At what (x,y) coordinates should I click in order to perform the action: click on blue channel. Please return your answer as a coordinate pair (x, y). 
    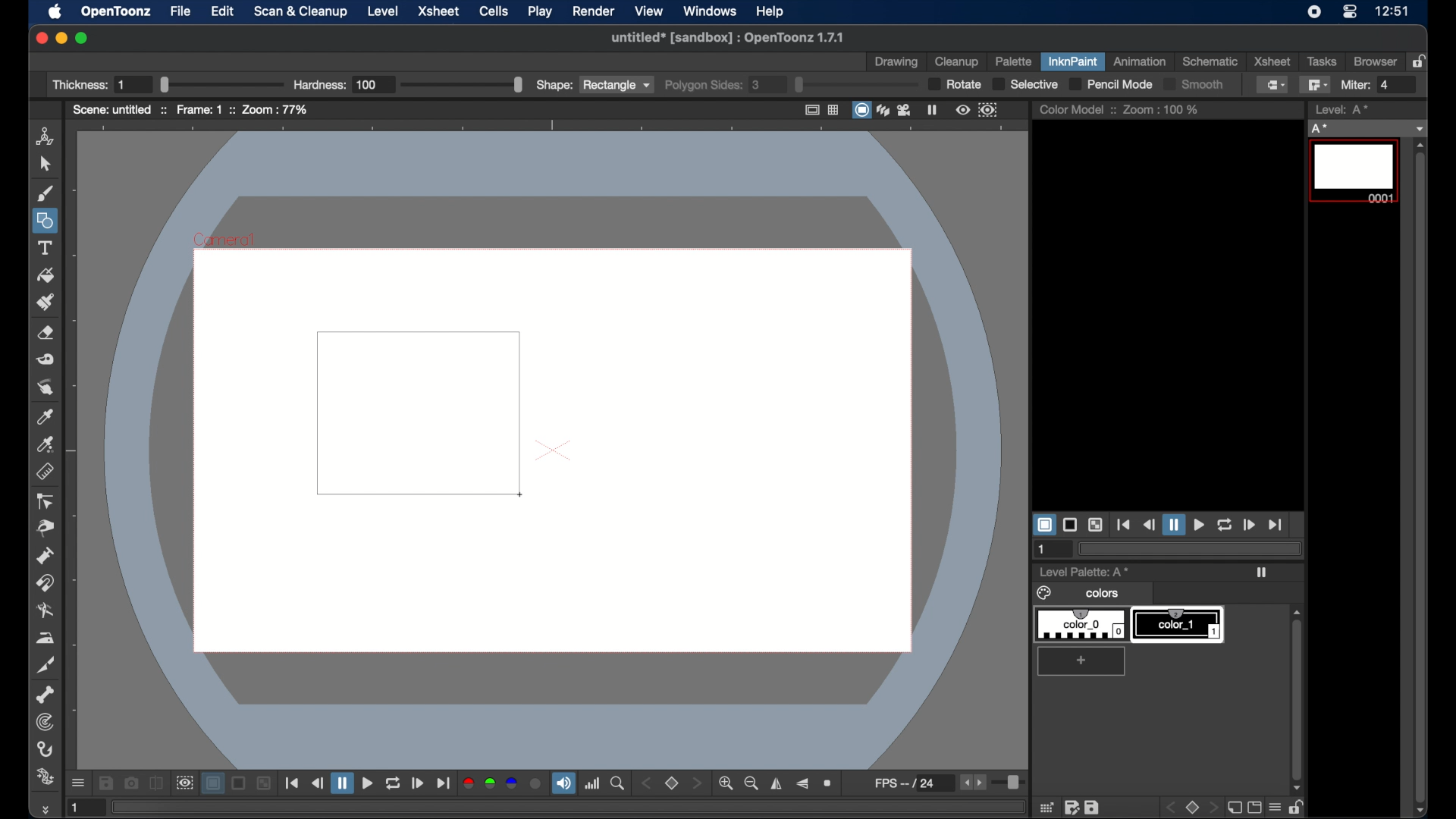
    Looking at the image, I should click on (511, 783).